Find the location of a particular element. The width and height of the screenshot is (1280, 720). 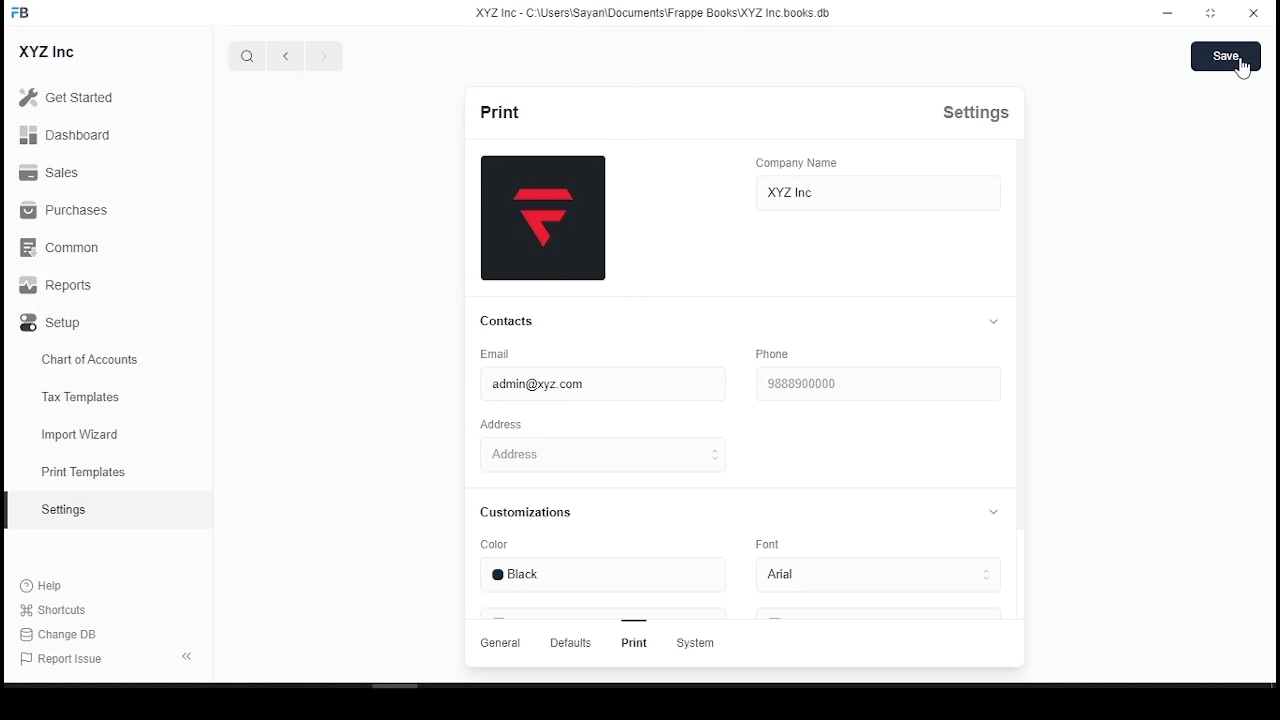

Color is located at coordinates (494, 545).